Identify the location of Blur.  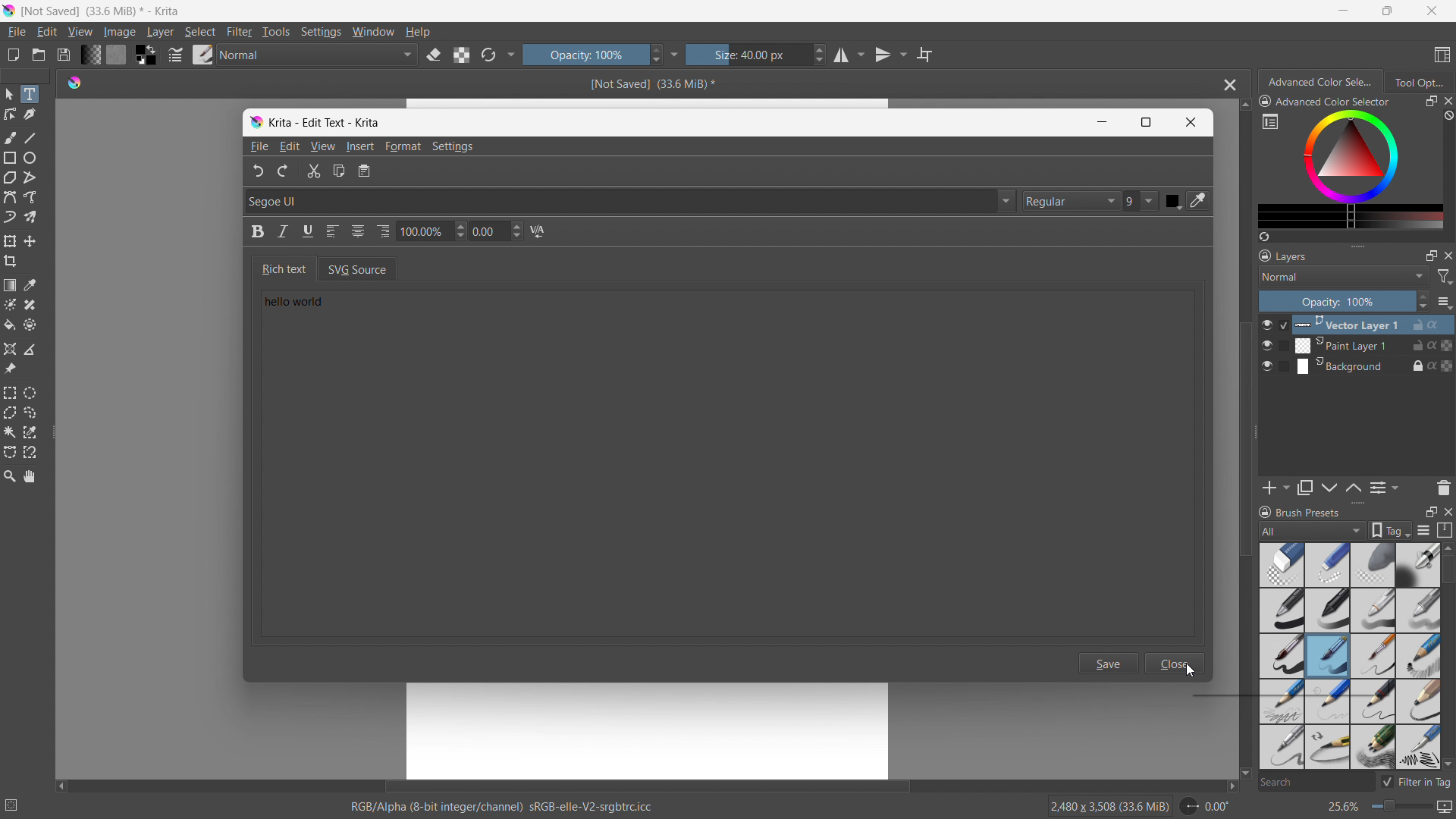
(1282, 564).